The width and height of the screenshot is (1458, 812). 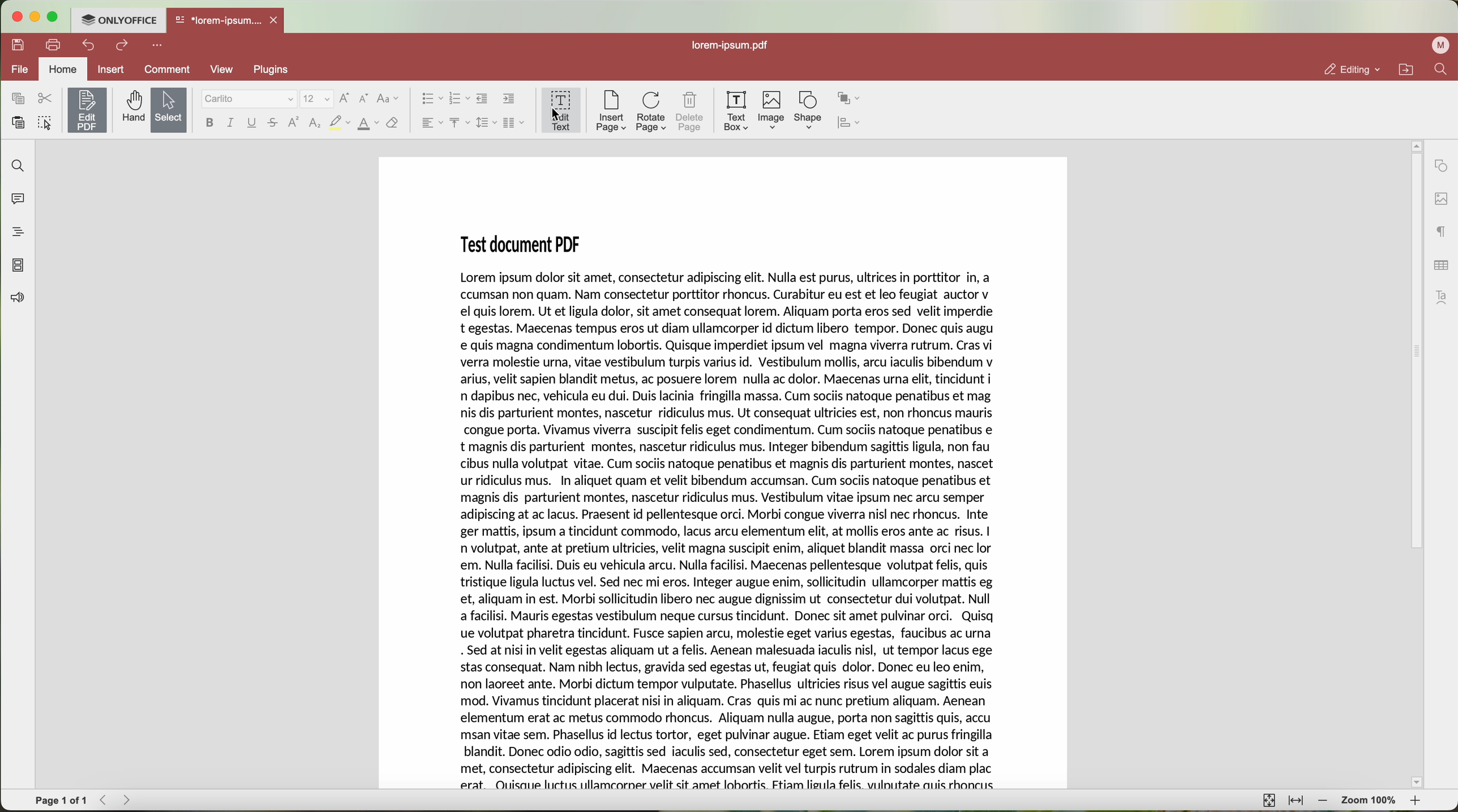 What do you see at coordinates (272, 70) in the screenshot?
I see `Plugins` at bounding box center [272, 70].